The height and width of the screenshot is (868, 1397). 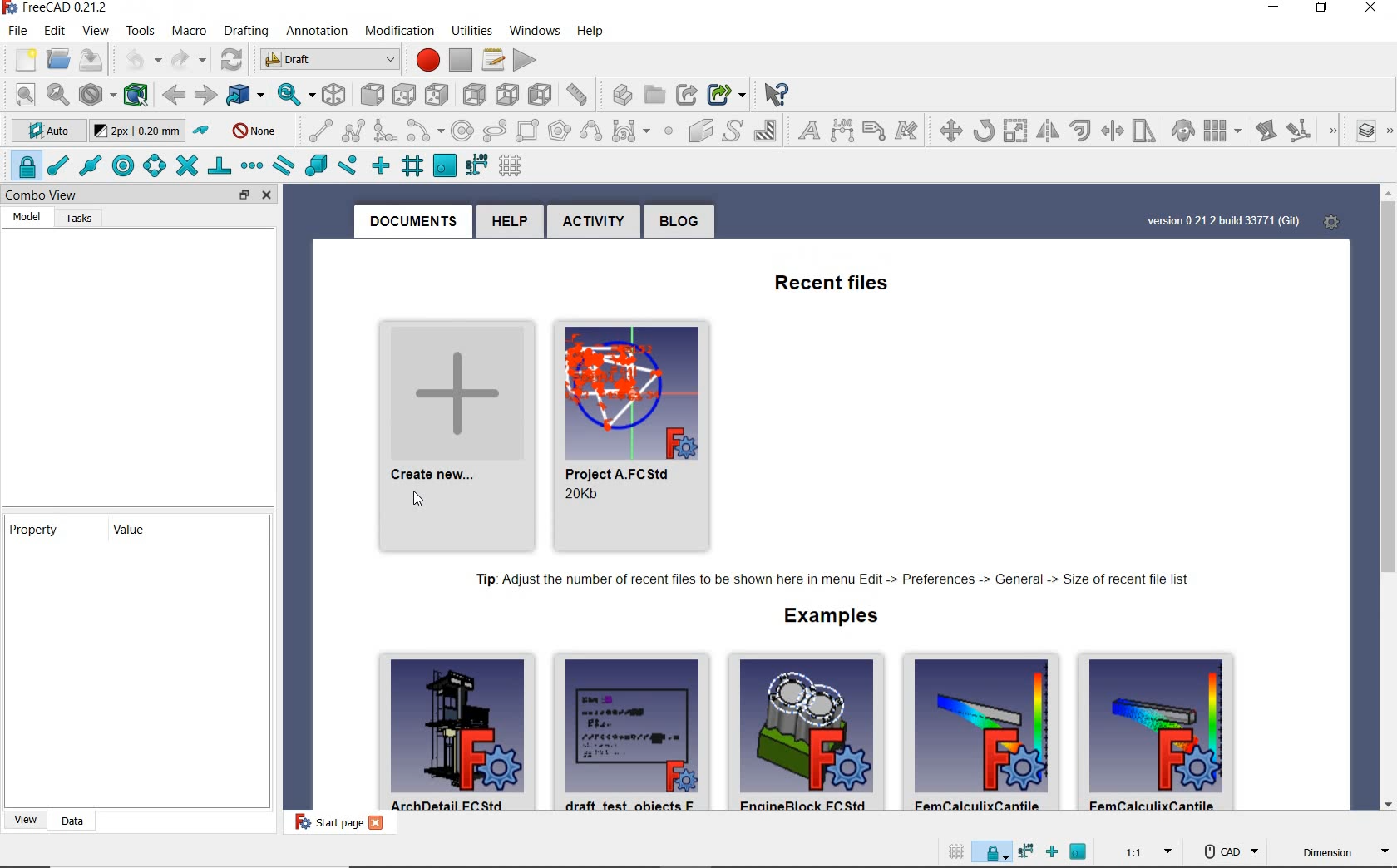 I want to click on minimize, so click(x=1272, y=10).